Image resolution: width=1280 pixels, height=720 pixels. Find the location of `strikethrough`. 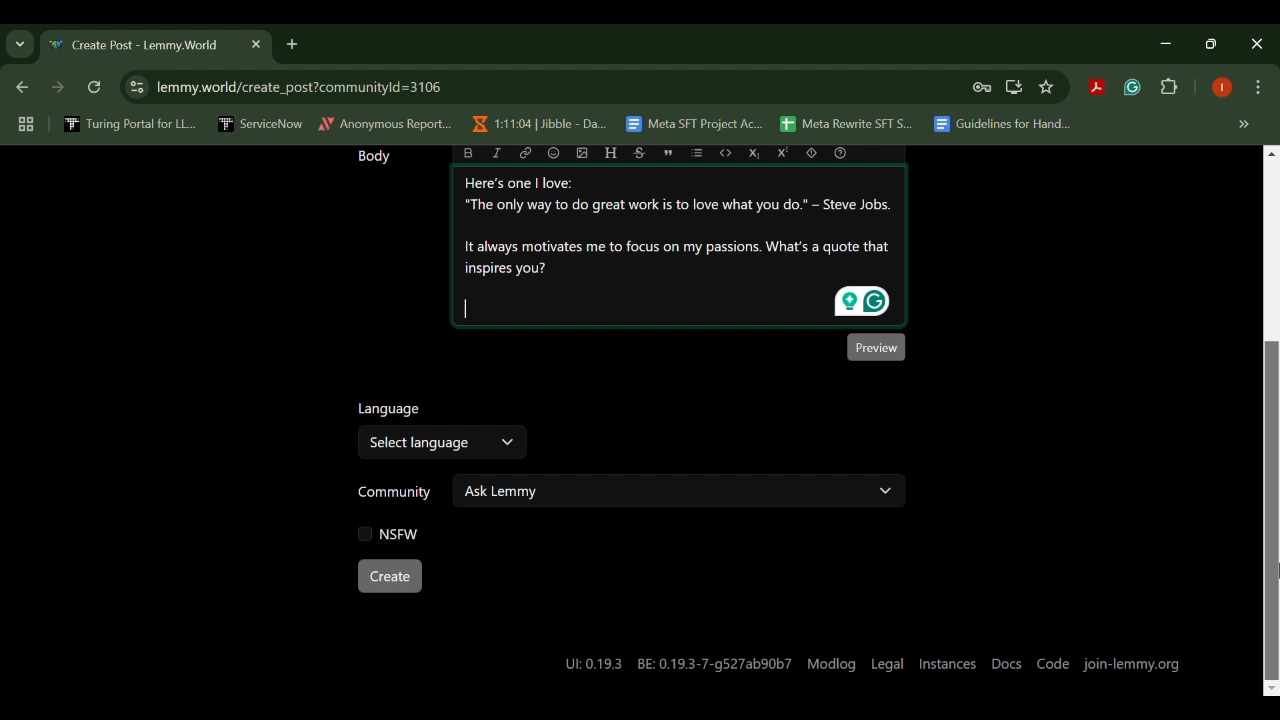

strikethrough is located at coordinates (641, 152).